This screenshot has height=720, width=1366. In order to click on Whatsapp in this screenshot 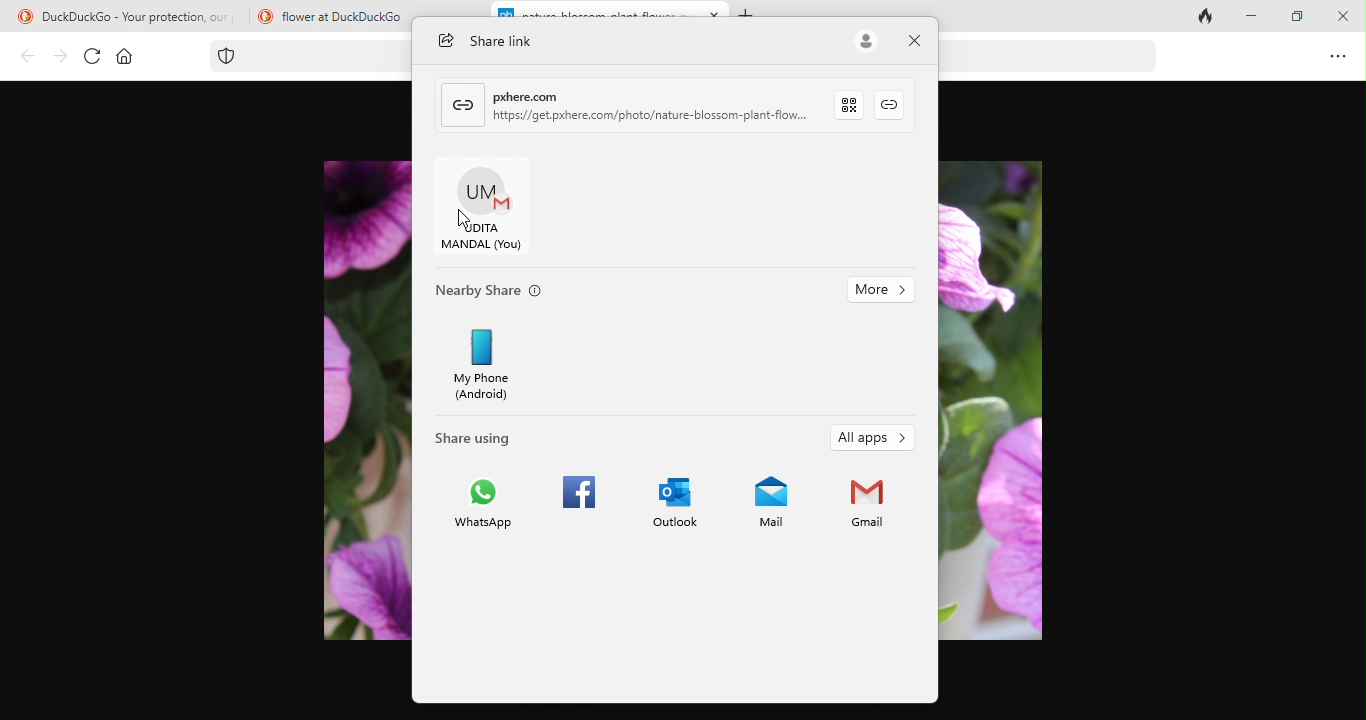, I will do `click(482, 510)`.